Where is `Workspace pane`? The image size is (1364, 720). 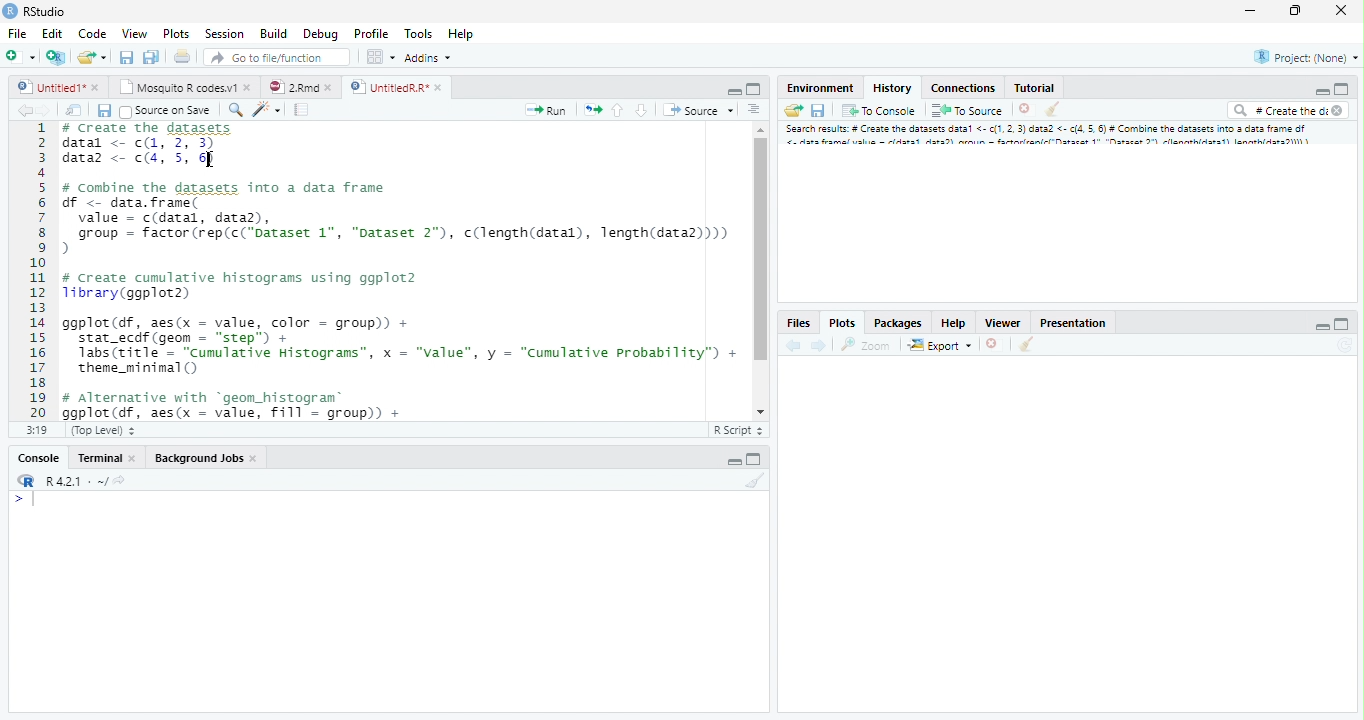
Workspace pane is located at coordinates (381, 58).